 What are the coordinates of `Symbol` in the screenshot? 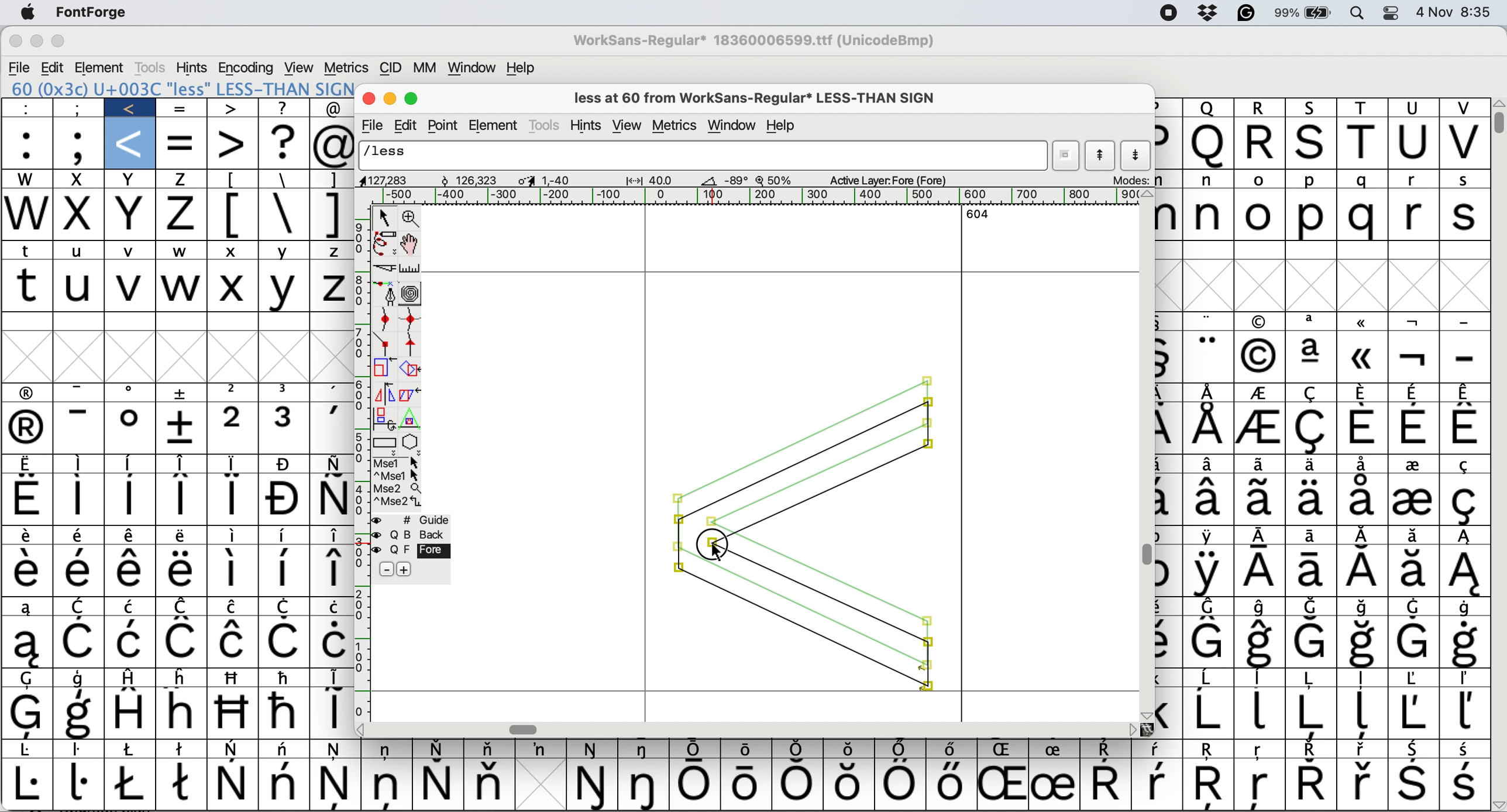 It's located at (699, 748).